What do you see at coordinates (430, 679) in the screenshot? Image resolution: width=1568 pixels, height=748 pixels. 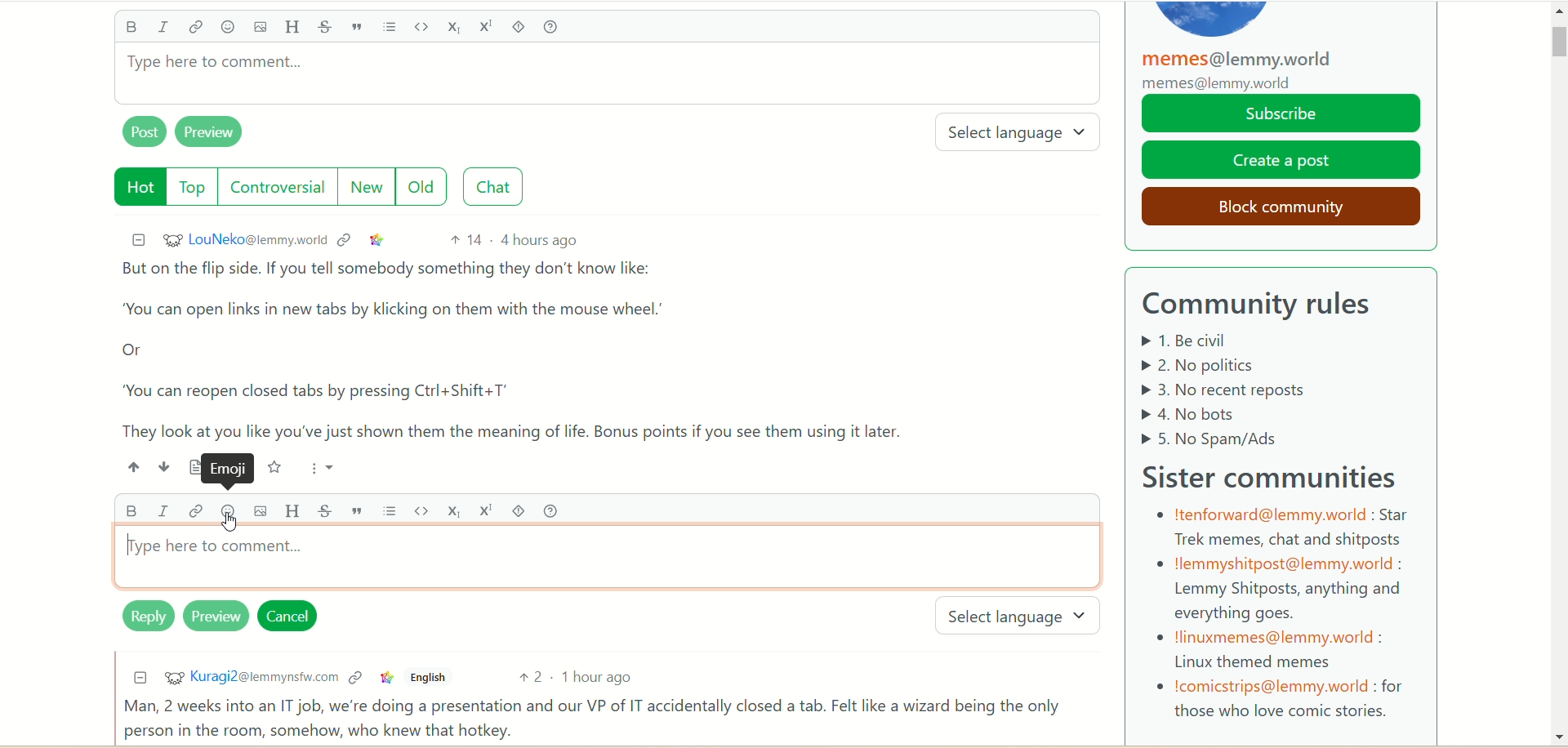 I see `english` at bounding box center [430, 679].